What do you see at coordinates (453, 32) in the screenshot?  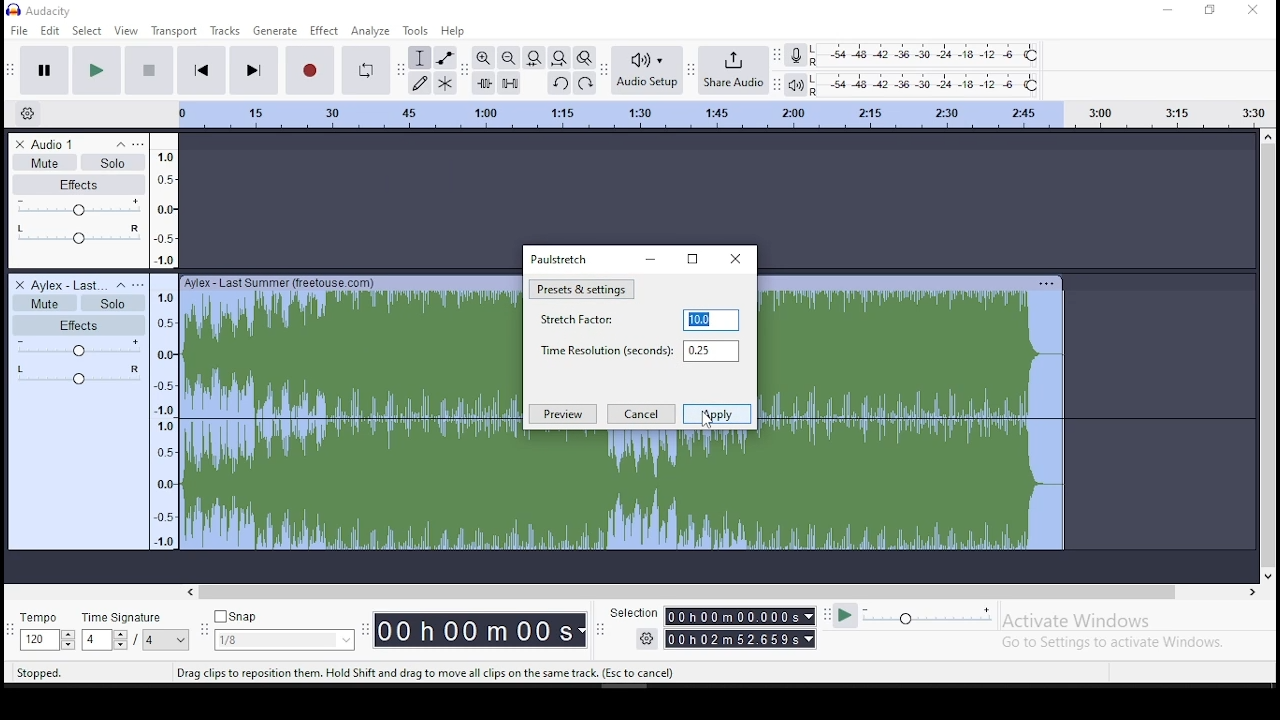 I see `help` at bounding box center [453, 32].